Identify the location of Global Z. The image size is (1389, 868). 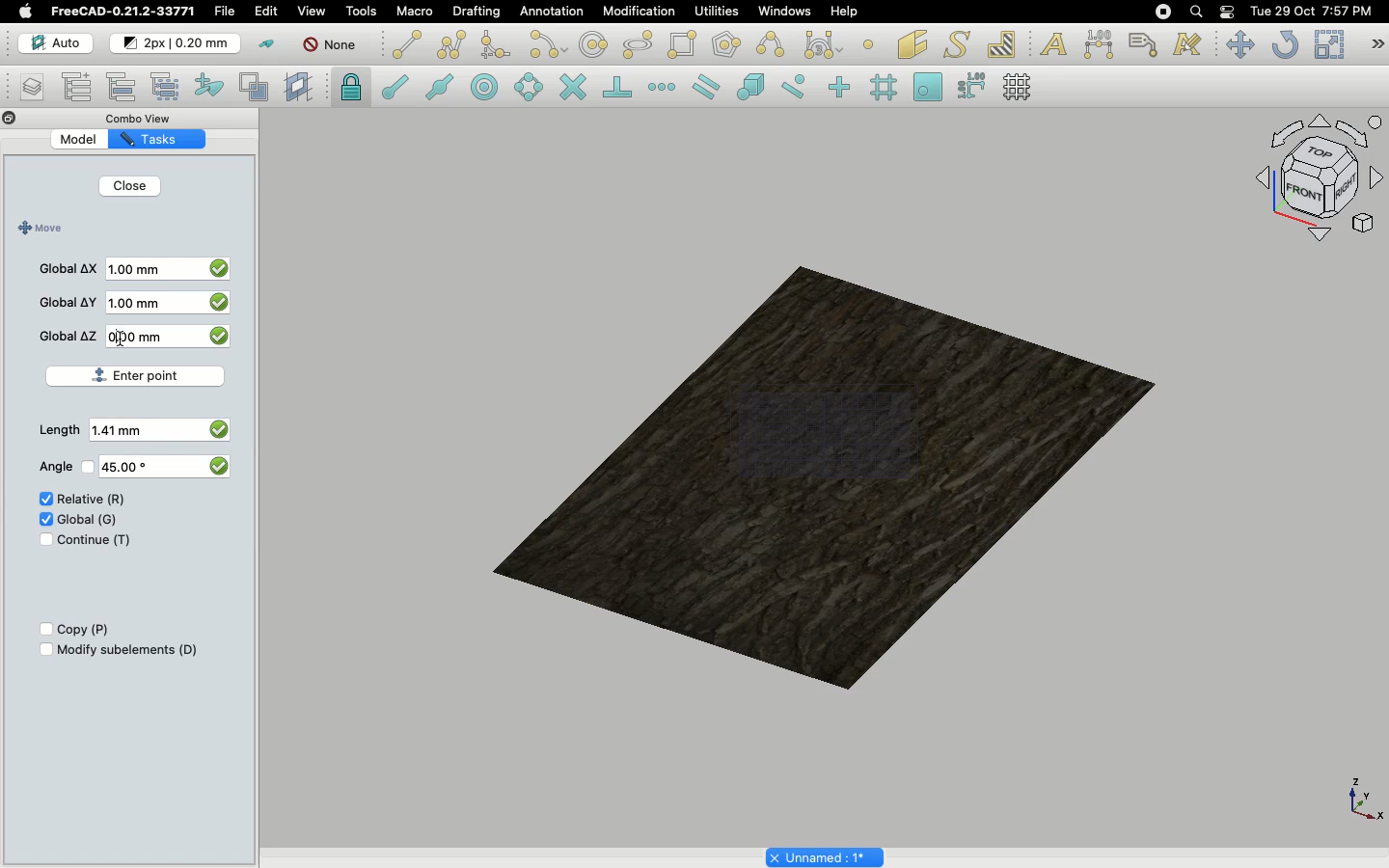
(68, 336).